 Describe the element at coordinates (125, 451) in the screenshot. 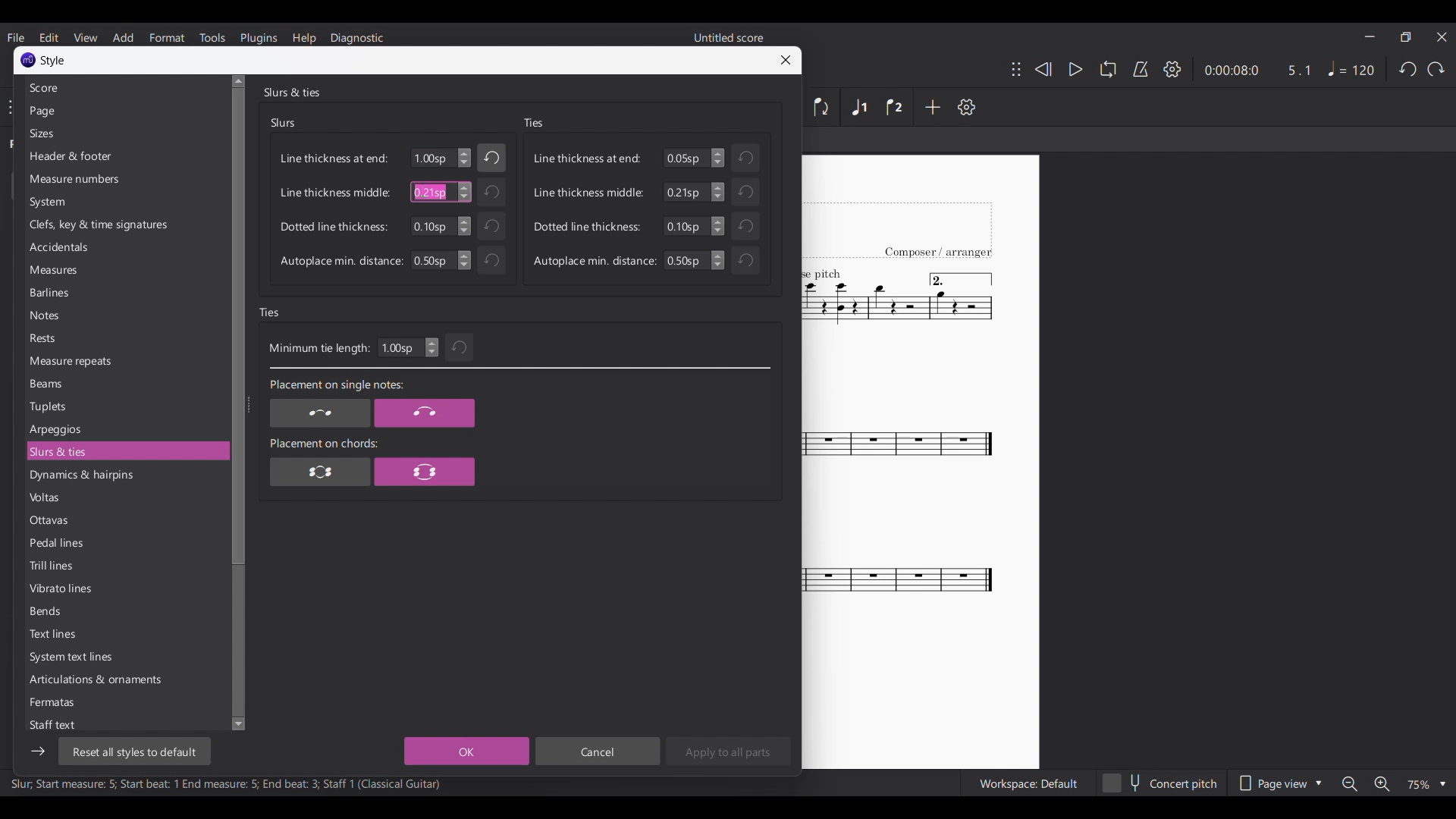

I see `Slurs & ties, current selection highlighted` at that location.